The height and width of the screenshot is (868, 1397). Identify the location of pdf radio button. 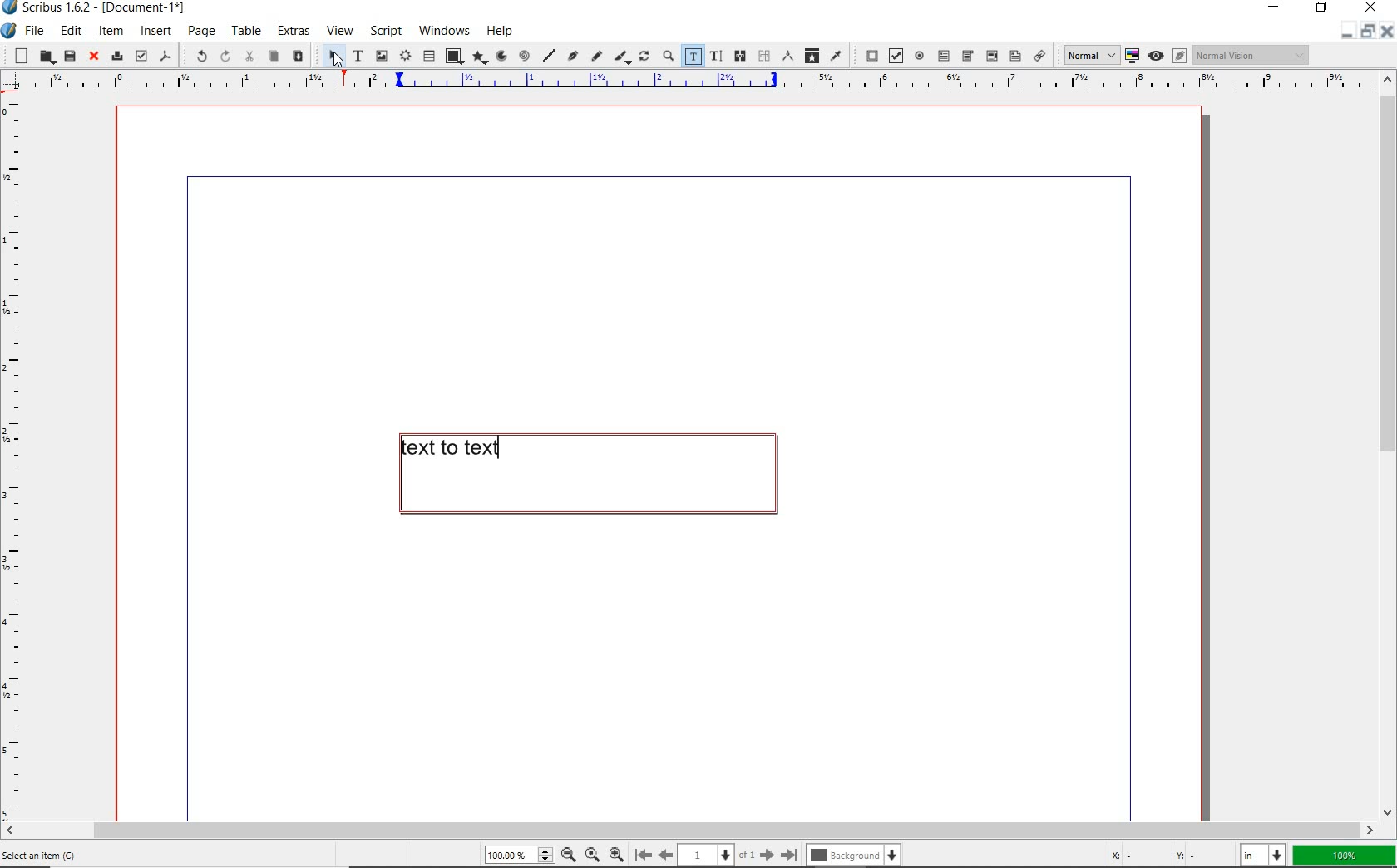
(920, 57).